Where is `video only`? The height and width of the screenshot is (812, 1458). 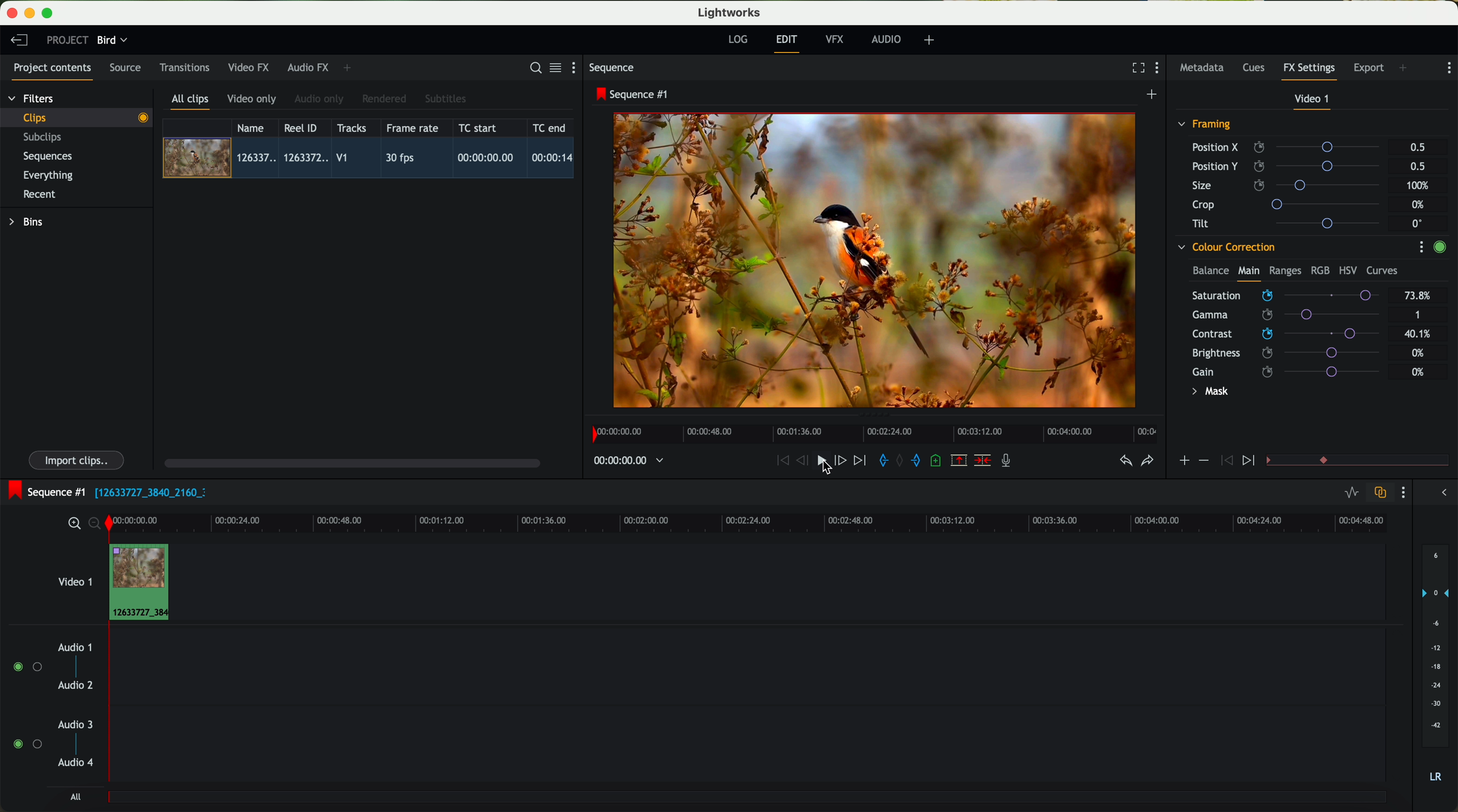
video only is located at coordinates (251, 100).